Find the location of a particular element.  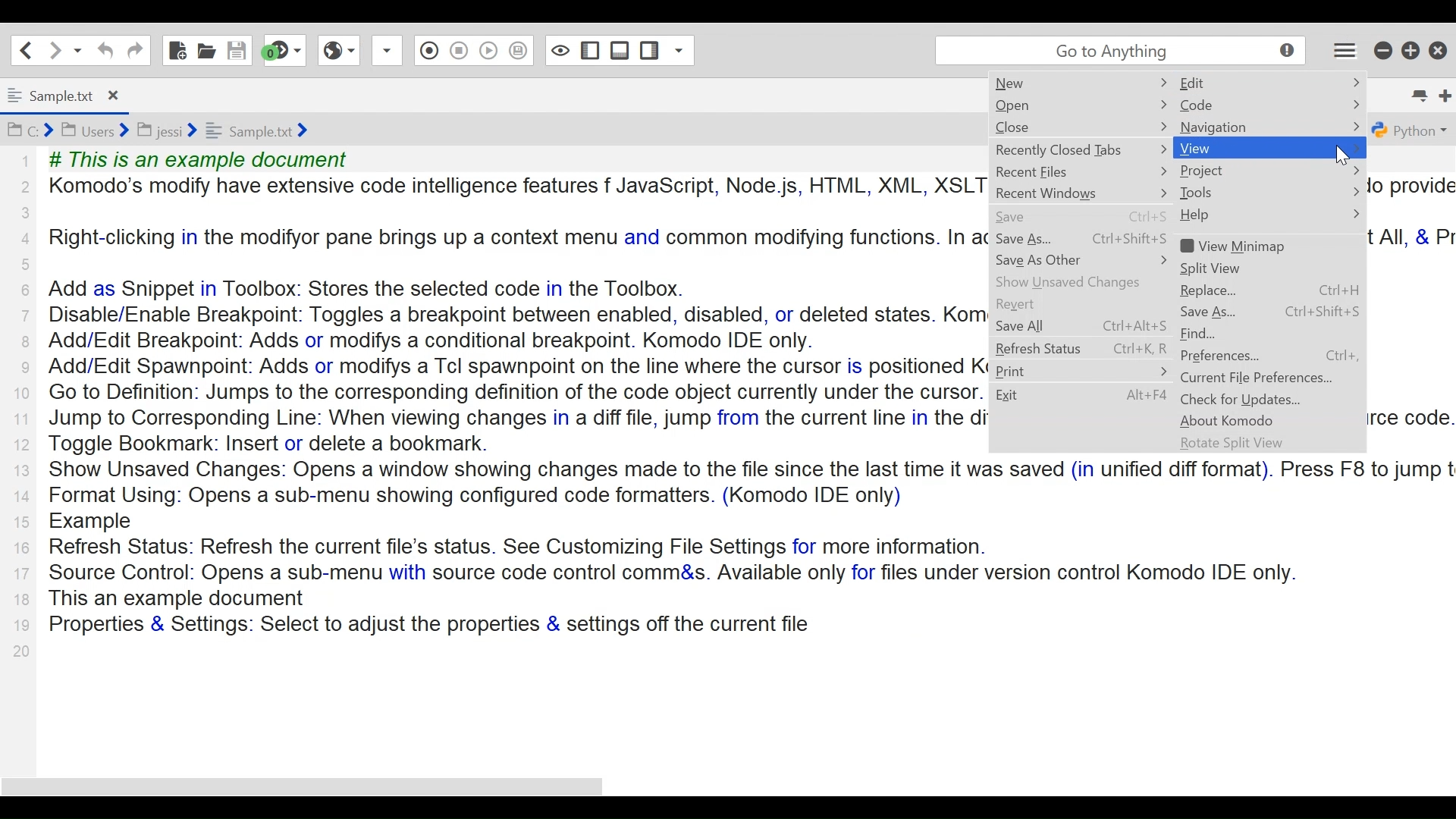

go to anything is located at coordinates (1116, 53).